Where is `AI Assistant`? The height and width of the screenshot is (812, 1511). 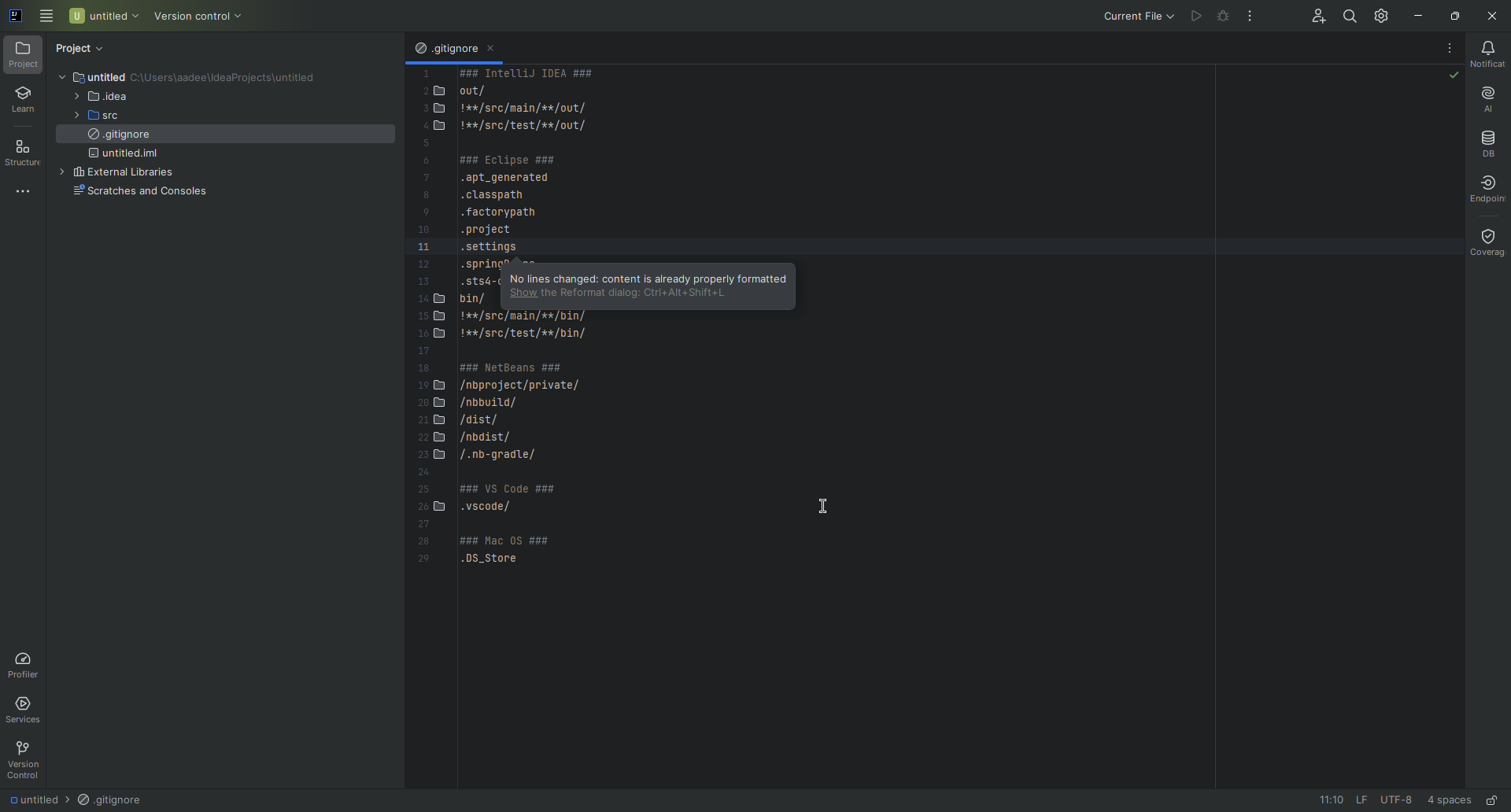 AI Assistant is located at coordinates (1488, 98).